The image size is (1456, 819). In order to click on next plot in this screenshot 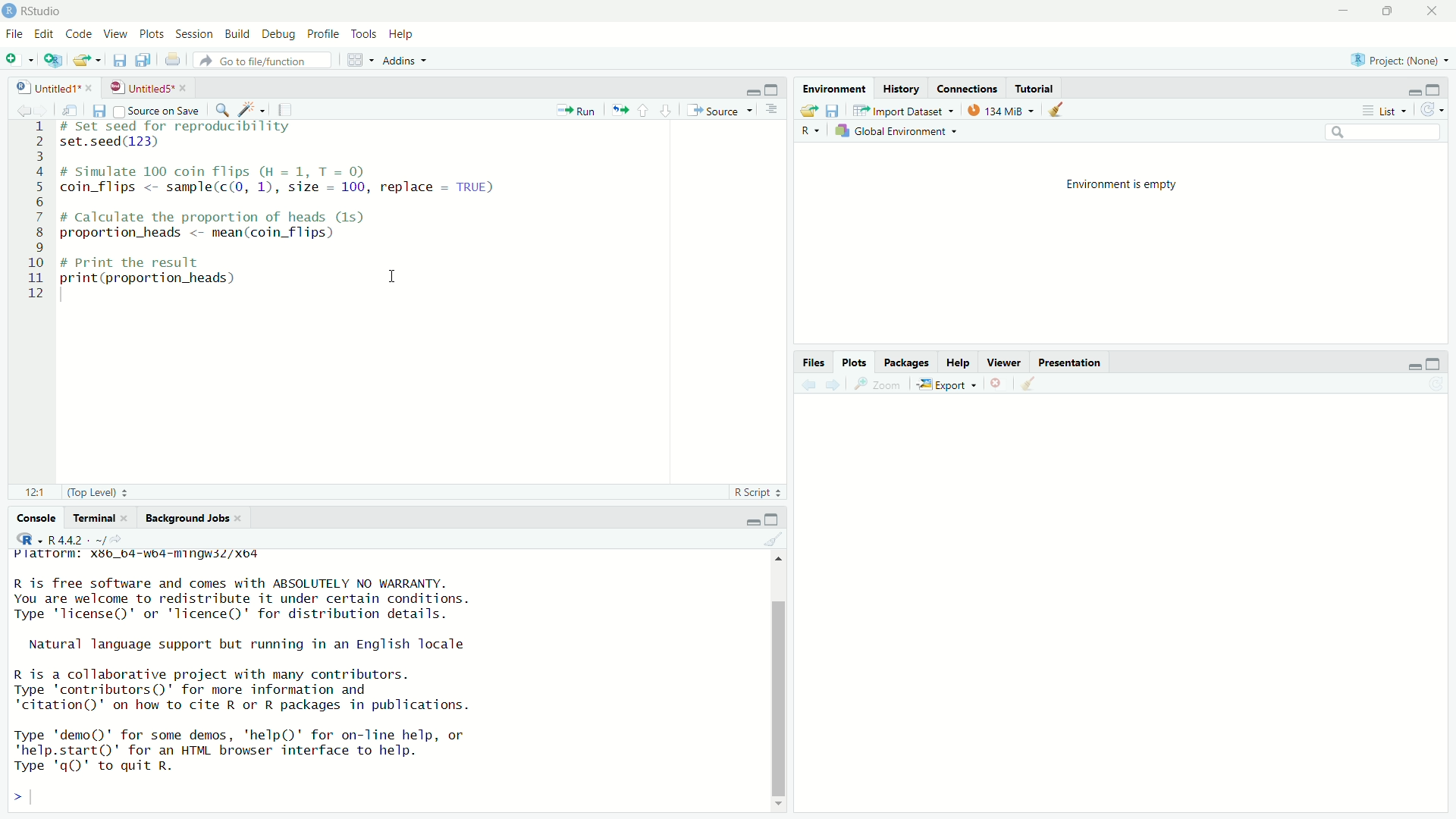, I will do `click(834, 386)`.